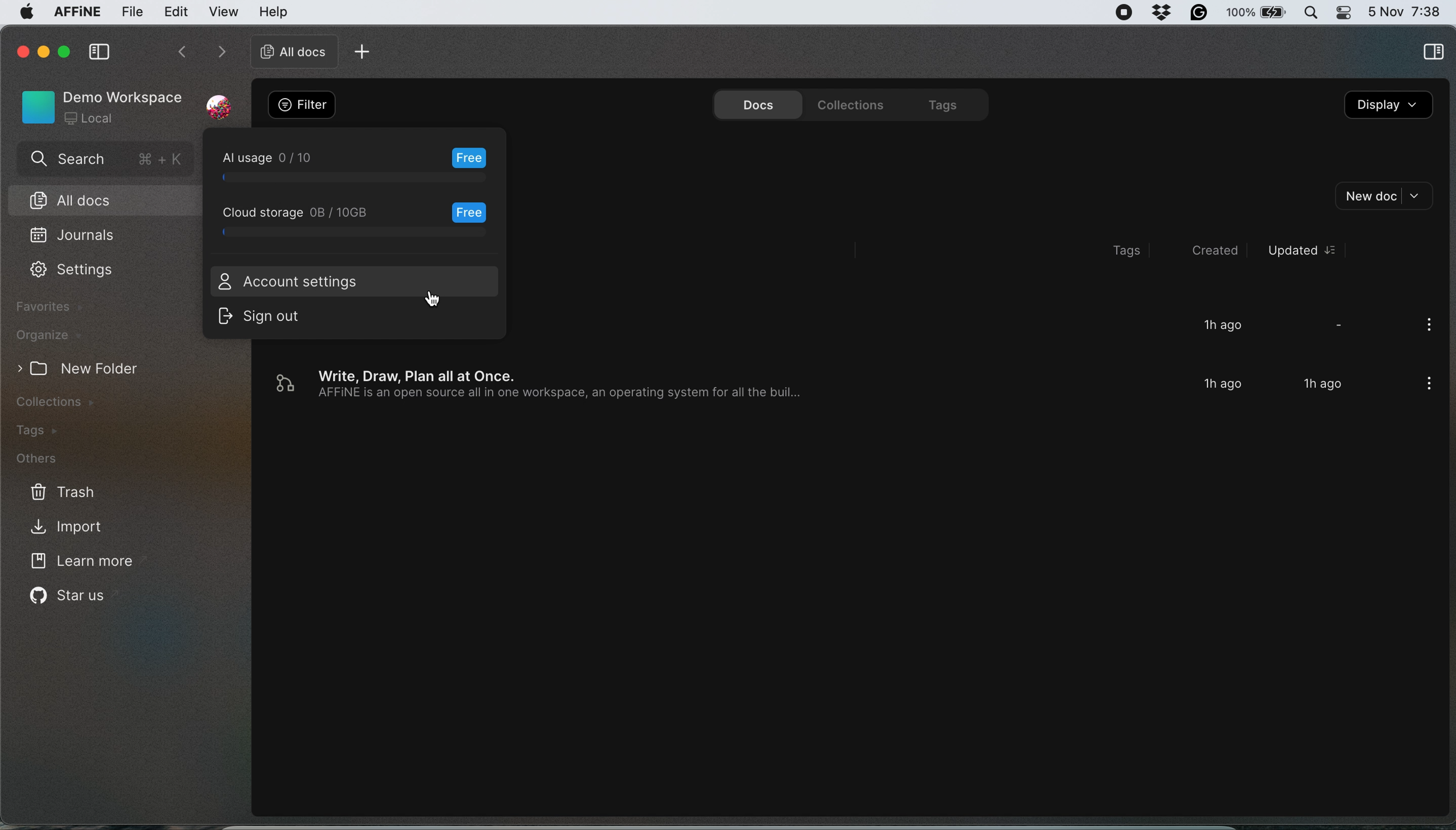 The height and width of the screenshot is (830, 1456). Describe the element at coordinates (70, 599) in the screenshot. I see `star us` at that location.